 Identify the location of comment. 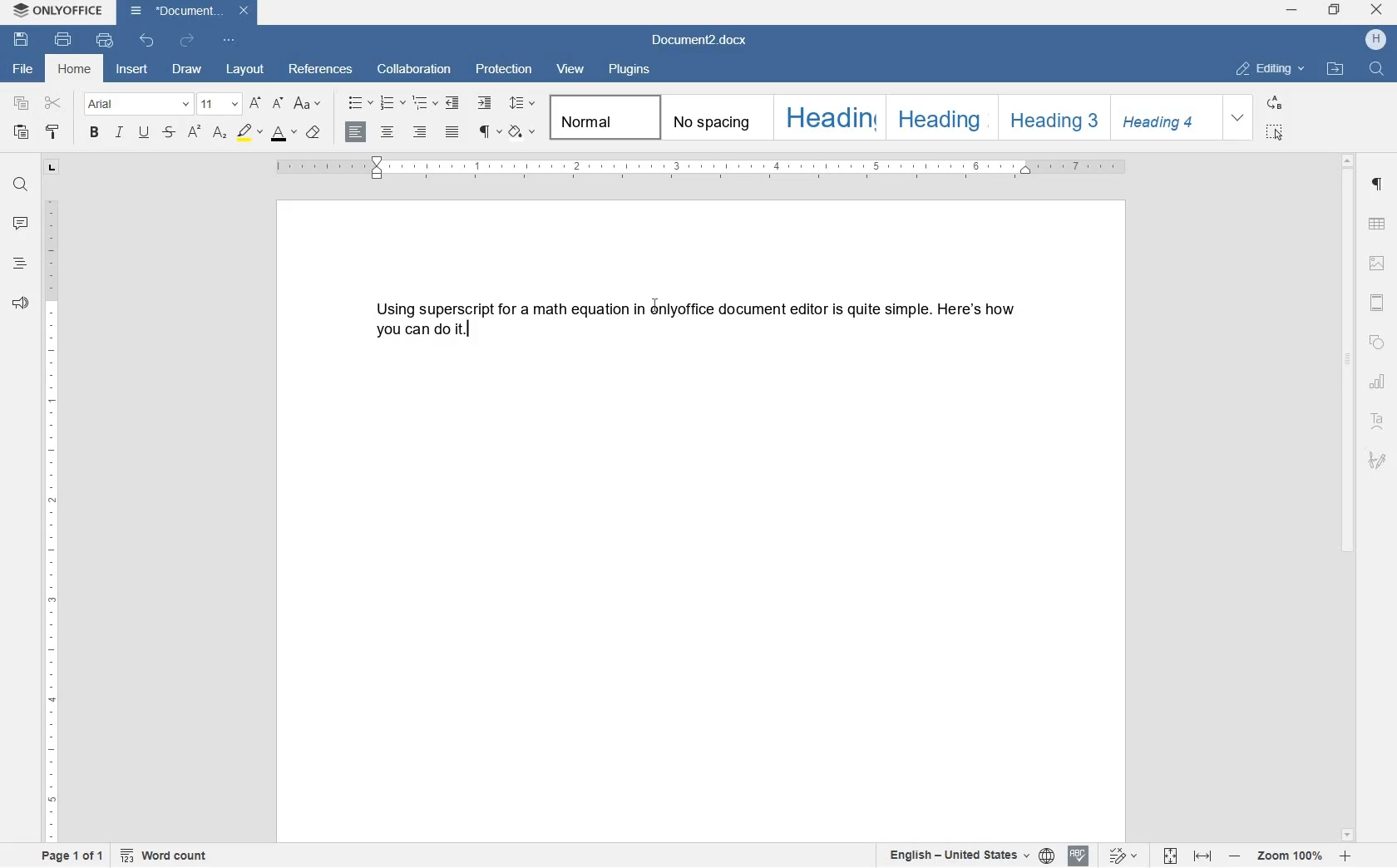
(20, 224).